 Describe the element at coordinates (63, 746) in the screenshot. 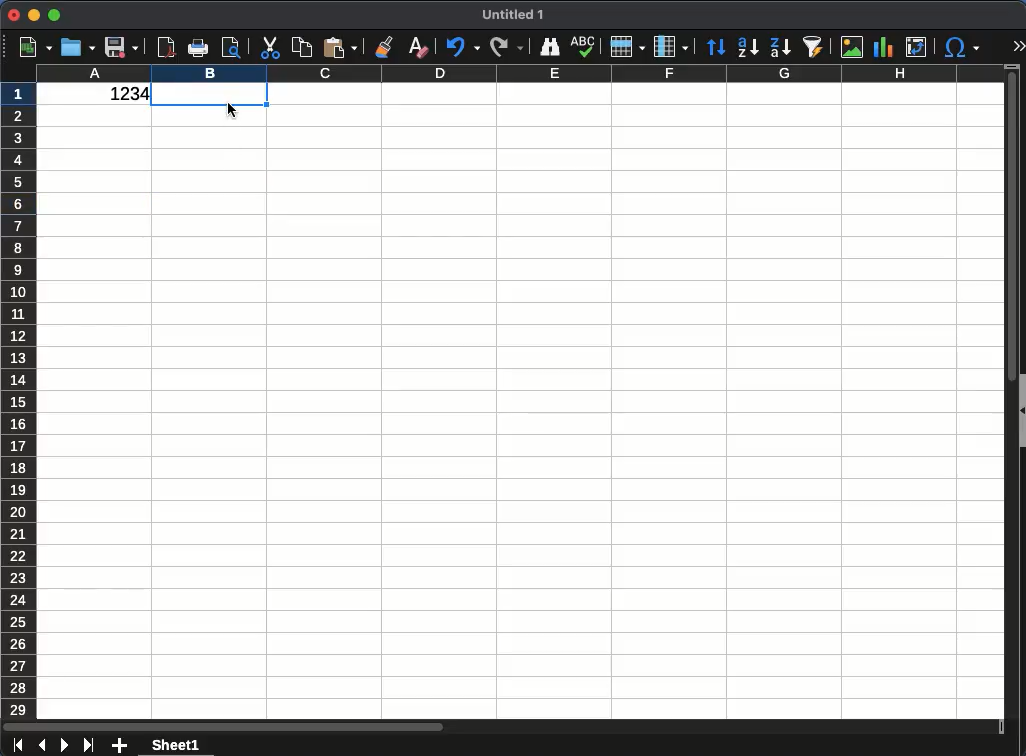

I see `next sheet` at that location.